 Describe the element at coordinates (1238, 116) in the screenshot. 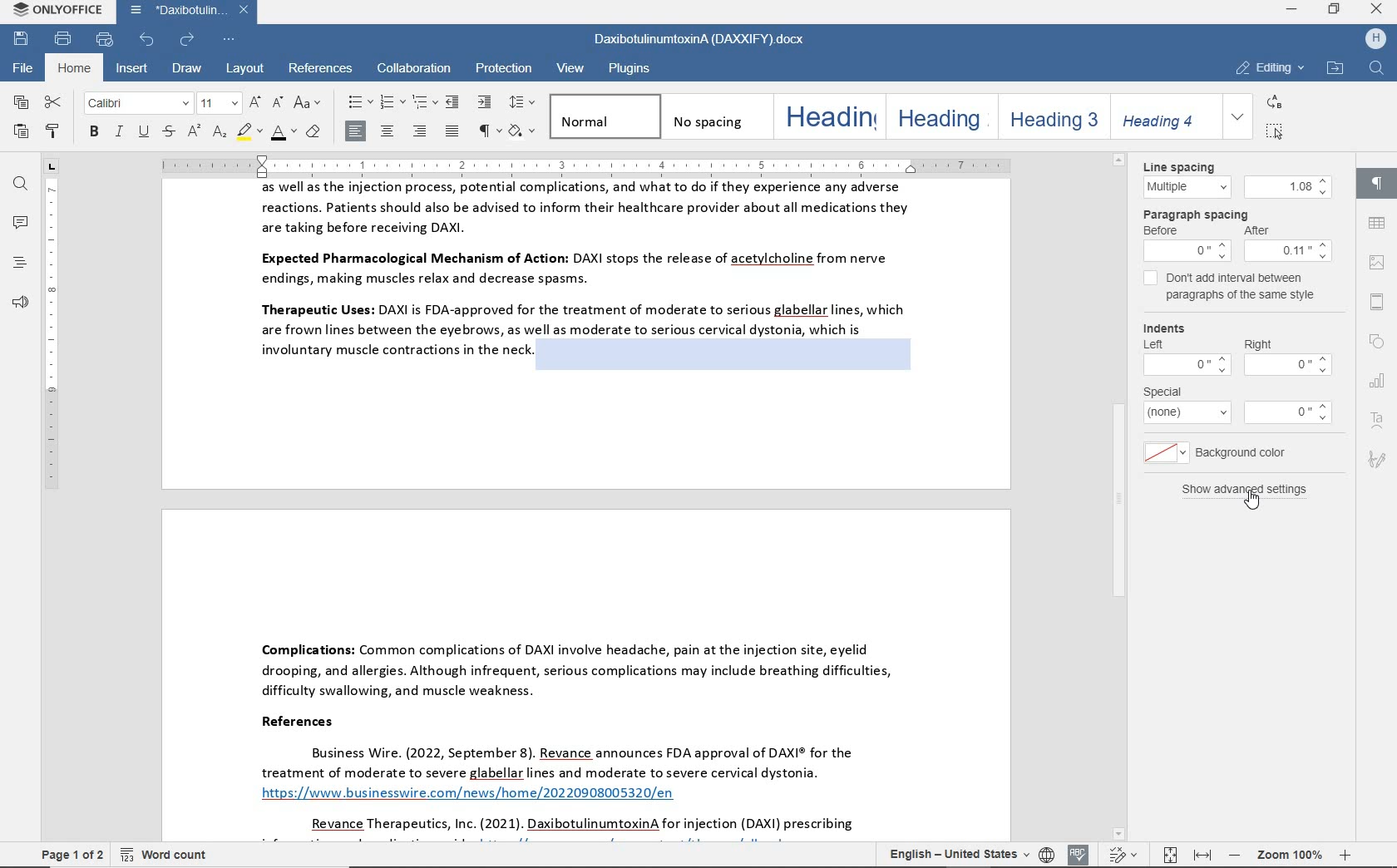

I see `expand` at that location.